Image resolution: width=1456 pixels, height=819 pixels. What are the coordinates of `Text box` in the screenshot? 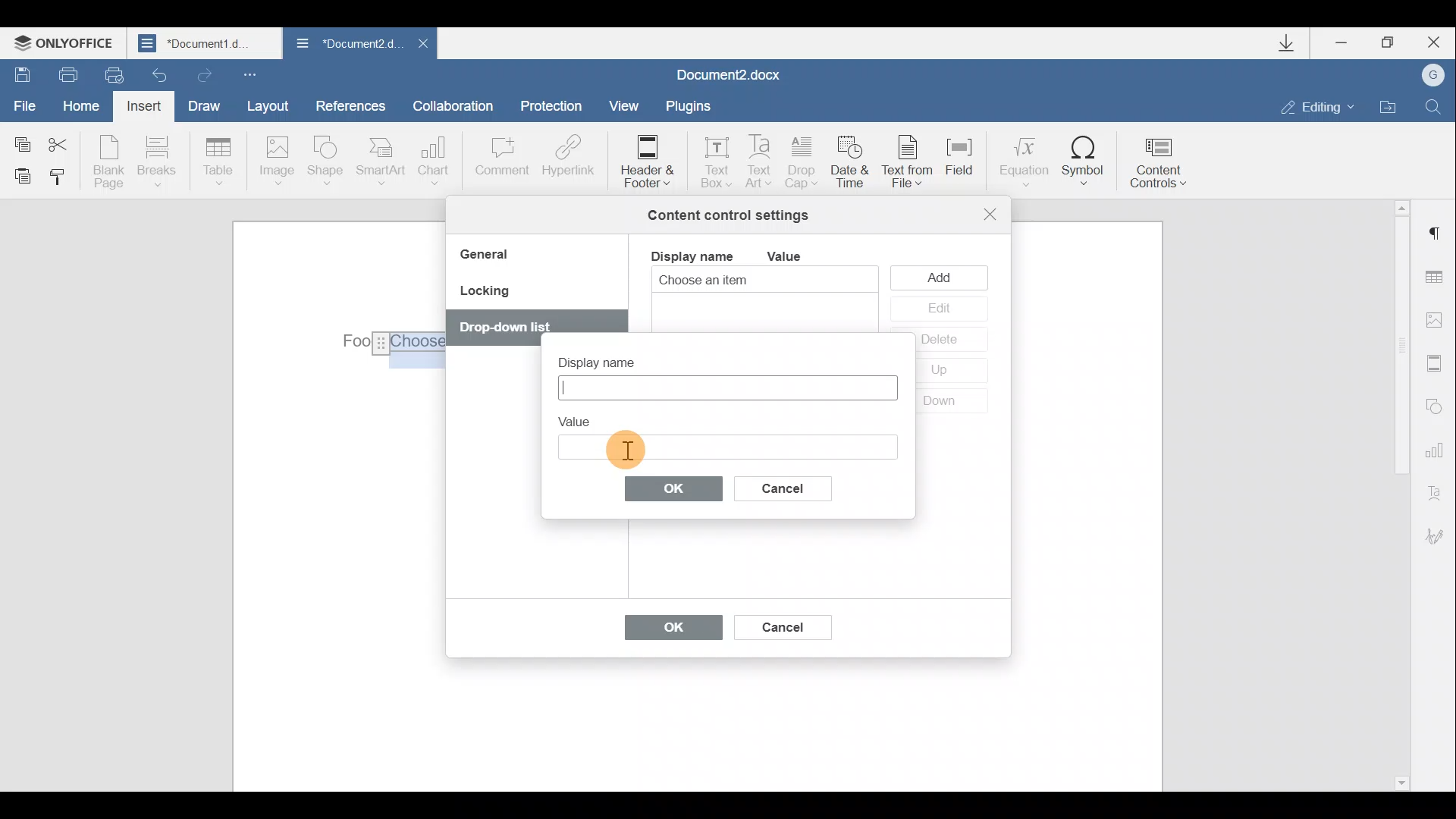 It's located at (726, 447).